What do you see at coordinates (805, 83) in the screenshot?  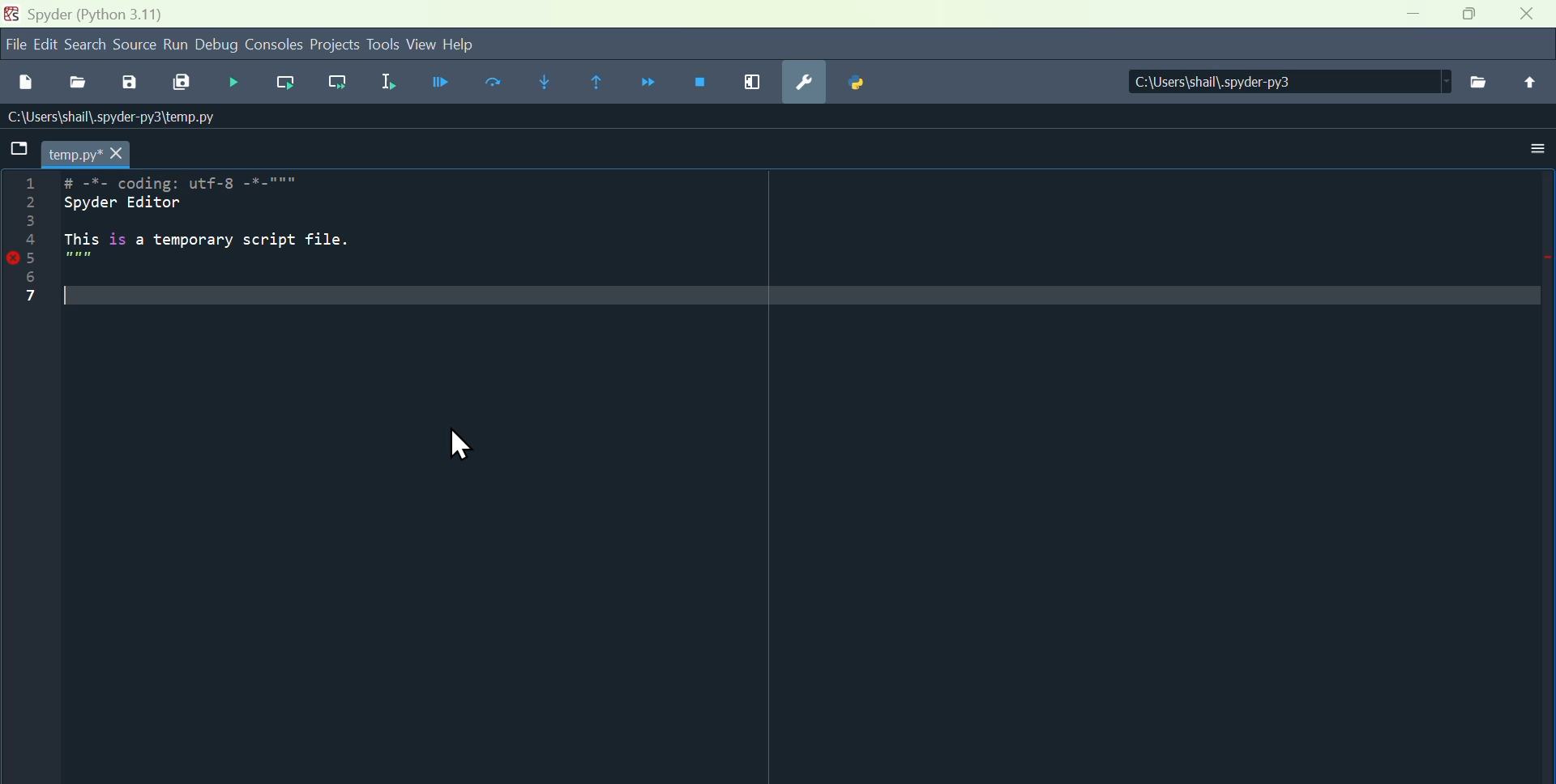 I see `Preferences` at bounding box center [805, 83].